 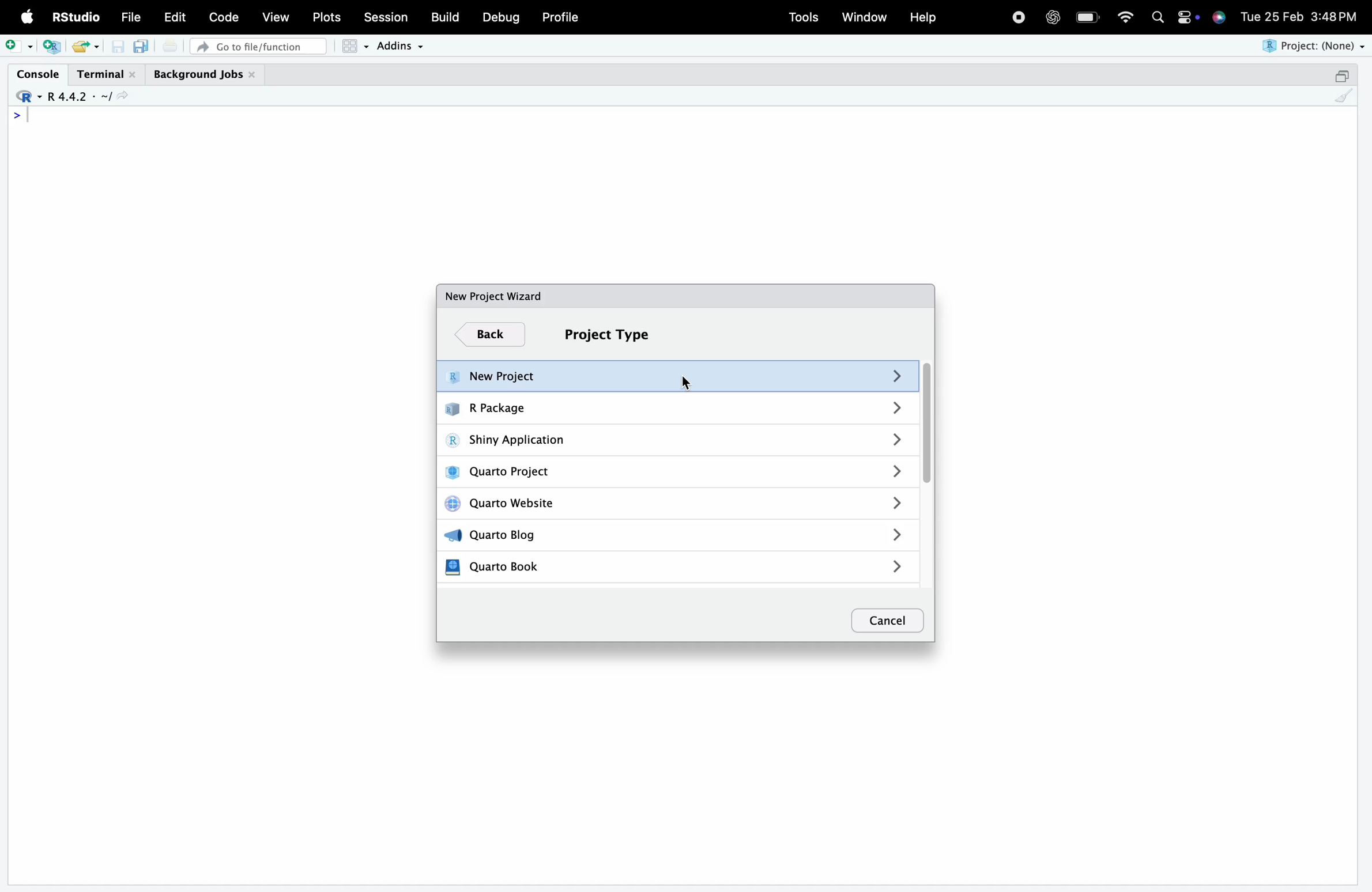 I want to click on cursor, so click(x=688, y=381).